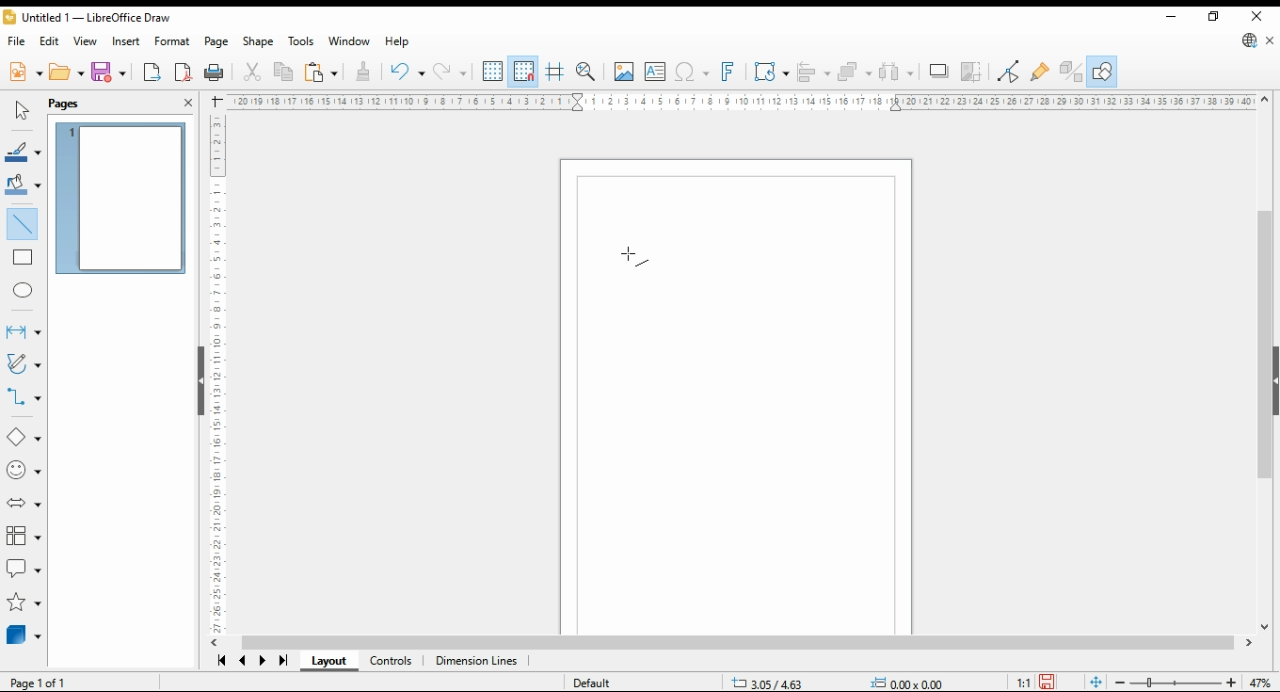 The image size is (1280, 692). I want to click on select at least three objects to distribute, so click(899, 72).